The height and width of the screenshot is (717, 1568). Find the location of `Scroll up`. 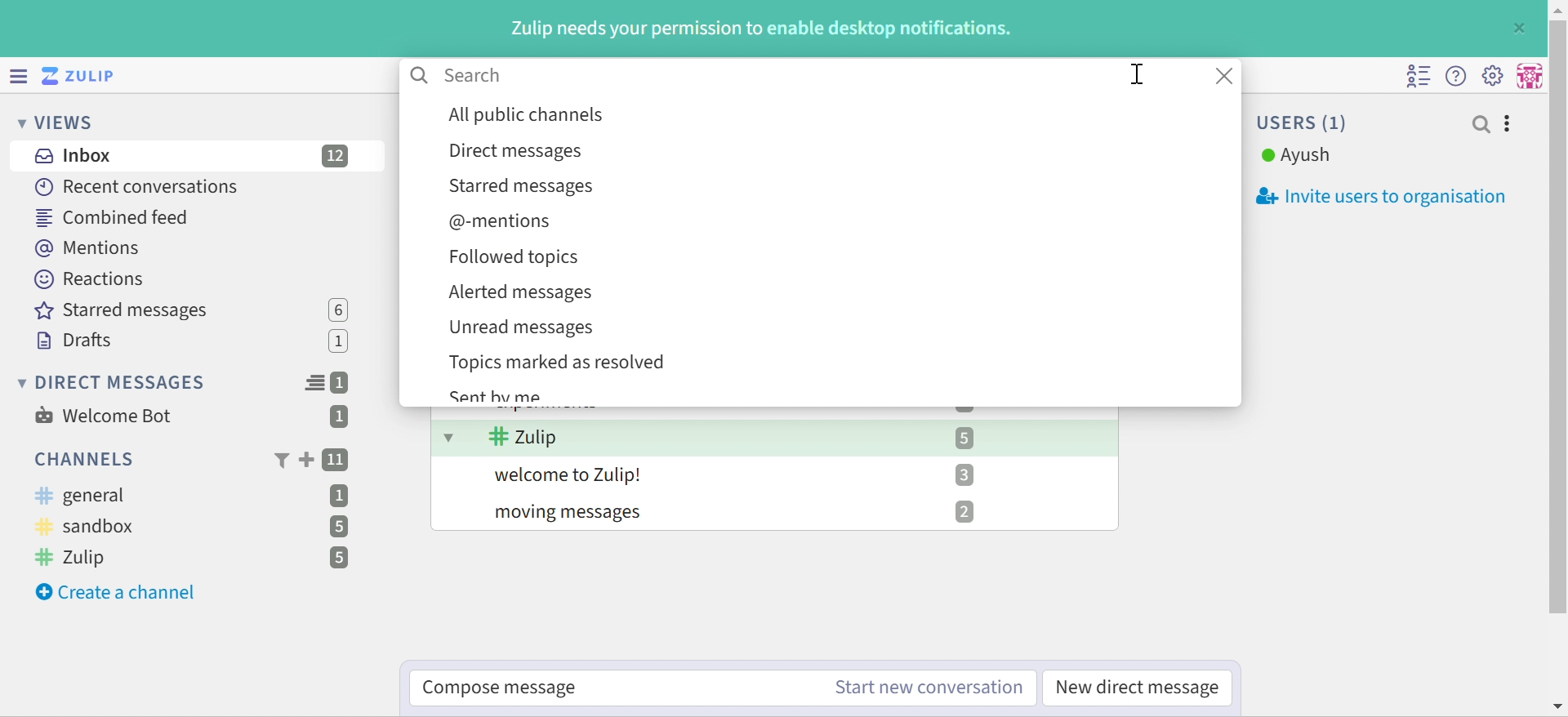

Scroll up is located at coordinates (1557, 10).